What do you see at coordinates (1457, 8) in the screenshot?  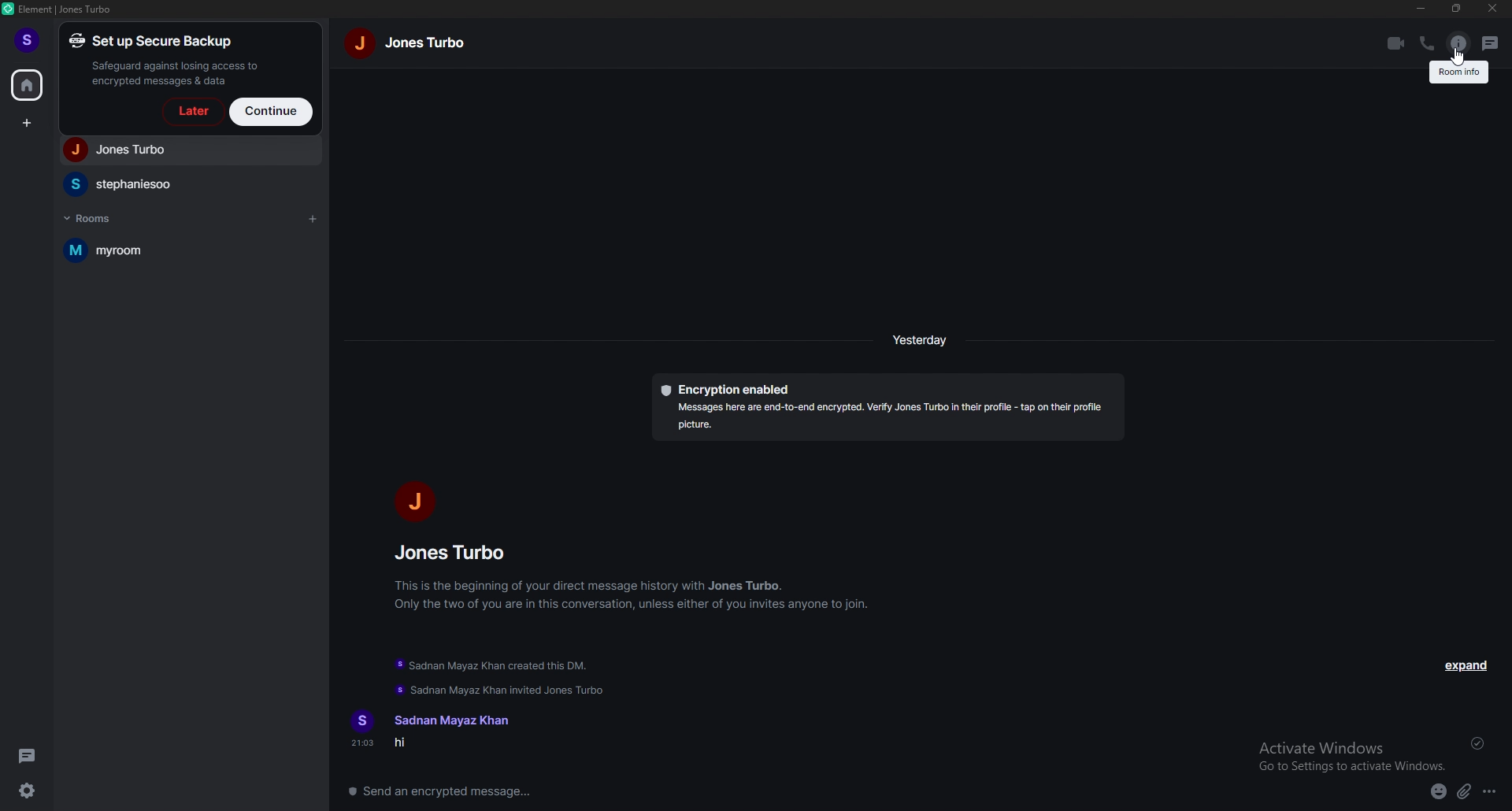 I see `resize` at bounding box center [1457, 8].